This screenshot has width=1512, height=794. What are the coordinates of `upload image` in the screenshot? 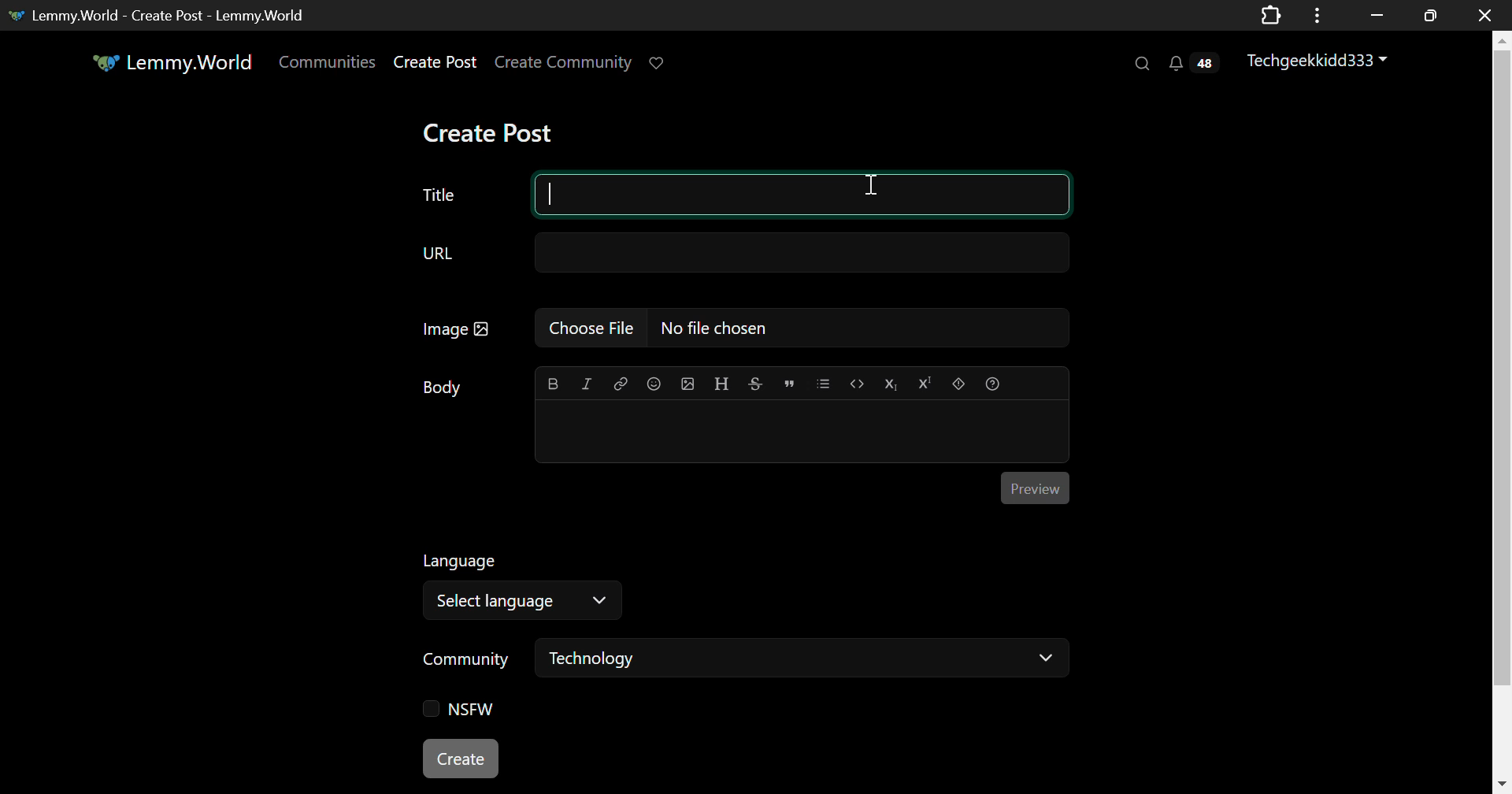 It's located at (688, 383).